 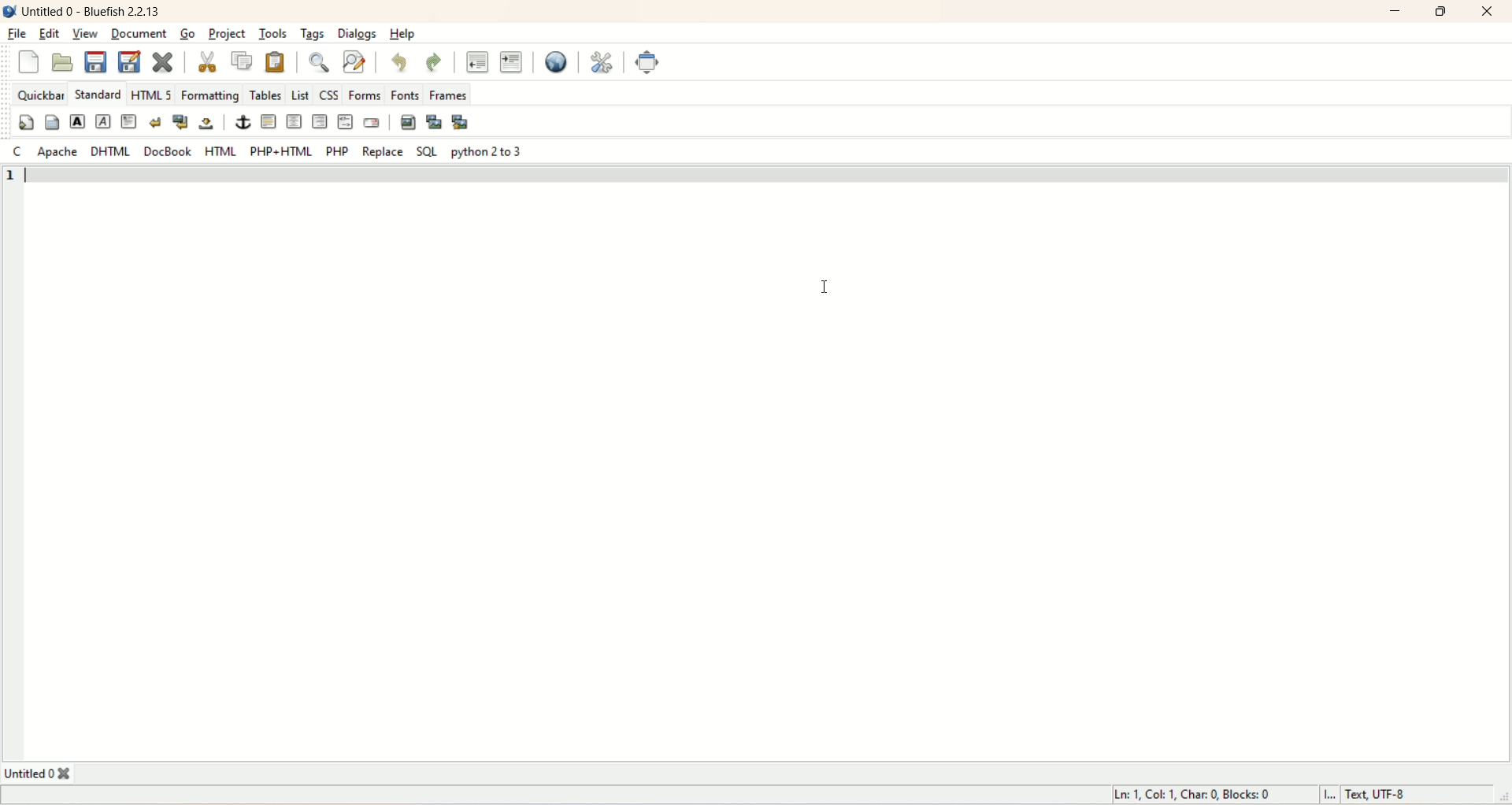 What do you see at coordinates (219, 150) in the screenshot?
I see `HTML` at bounding box center [219, 150].